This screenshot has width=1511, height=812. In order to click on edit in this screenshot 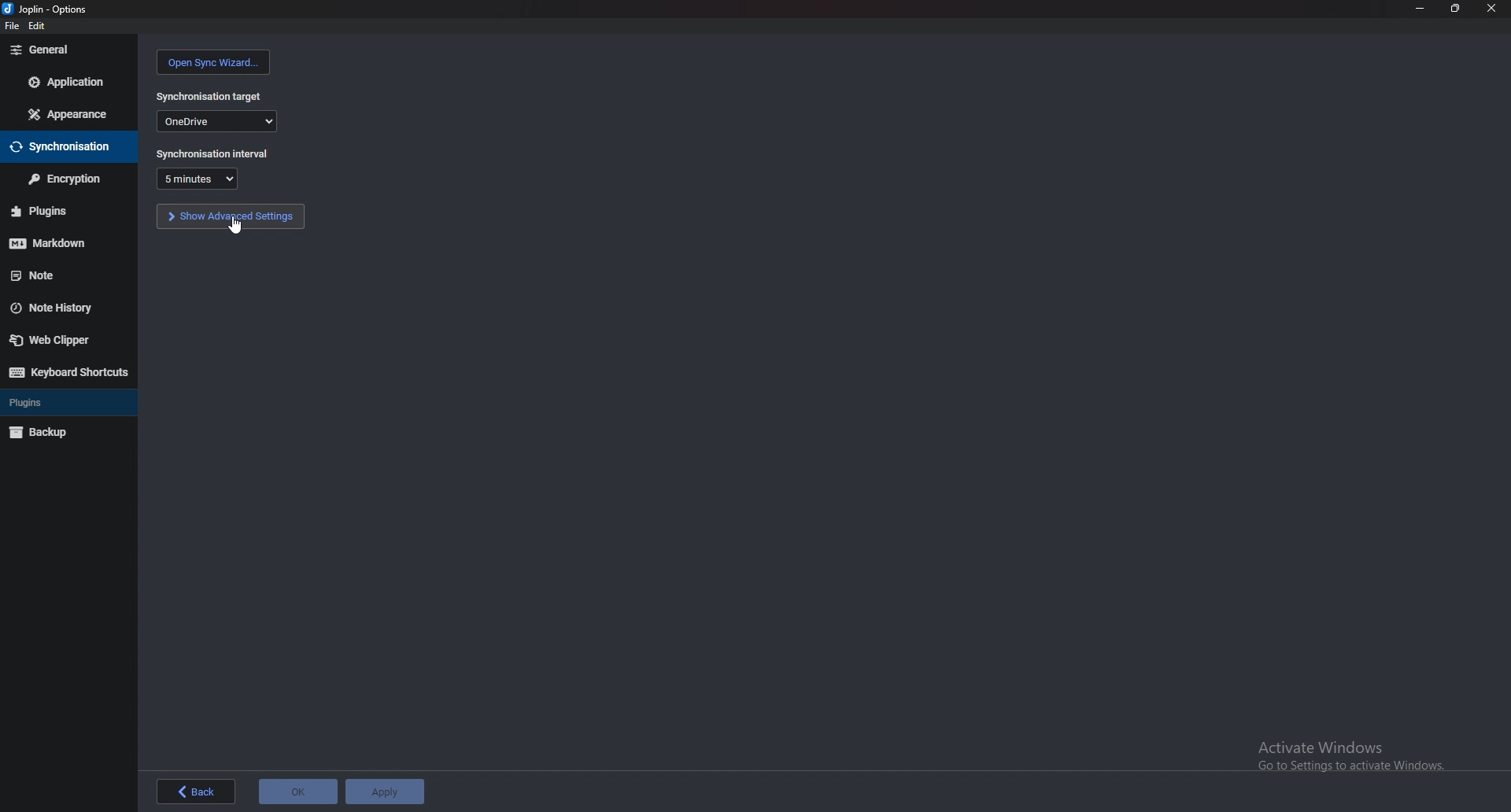, I will do `click(36, 26)`.